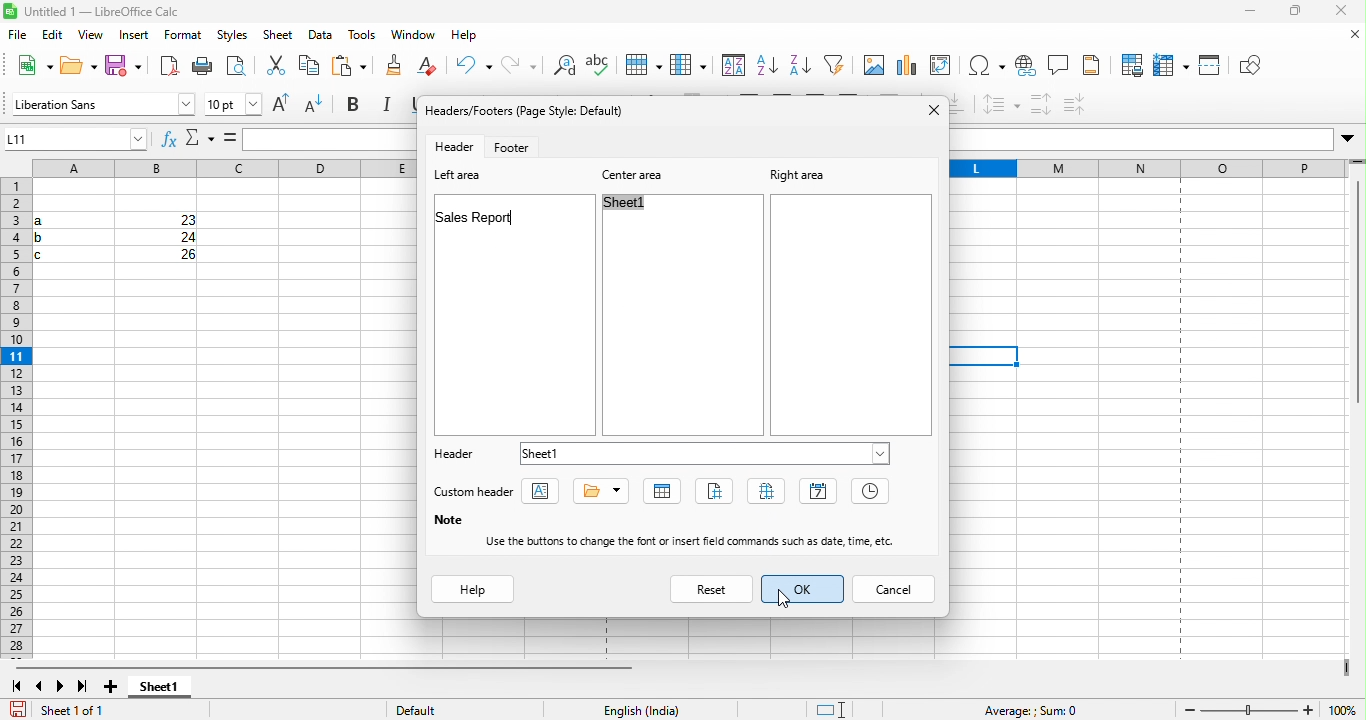  What do you see at coordinates (1075, 102) in the screenshot?
I see `decrease paragraph spacing` at bounding box center [1075, 102].